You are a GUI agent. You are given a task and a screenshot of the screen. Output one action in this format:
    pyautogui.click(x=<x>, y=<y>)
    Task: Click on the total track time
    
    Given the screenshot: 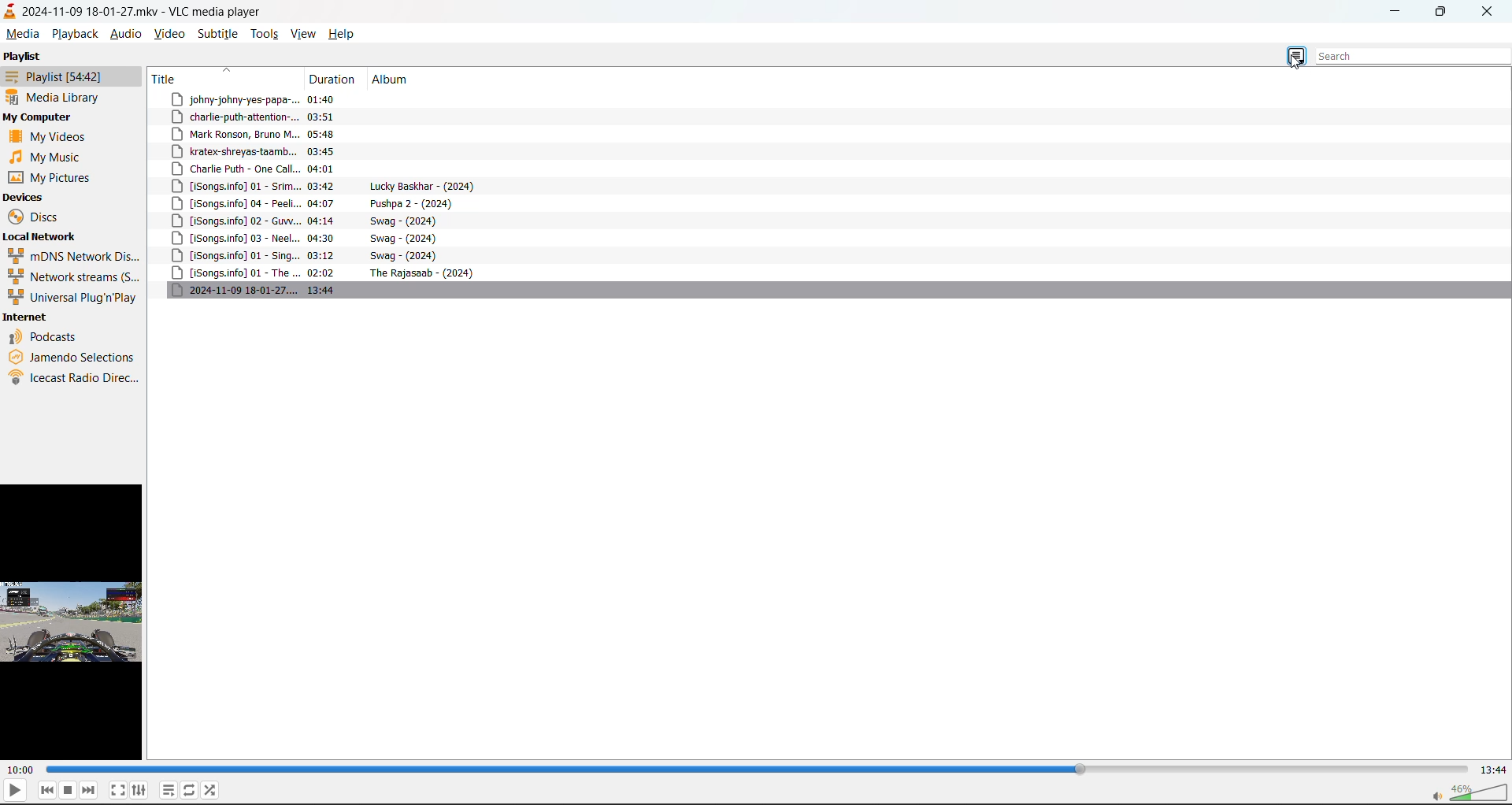 What is the action you would take?
    pyautogui.click(x=1494, y=770)
    